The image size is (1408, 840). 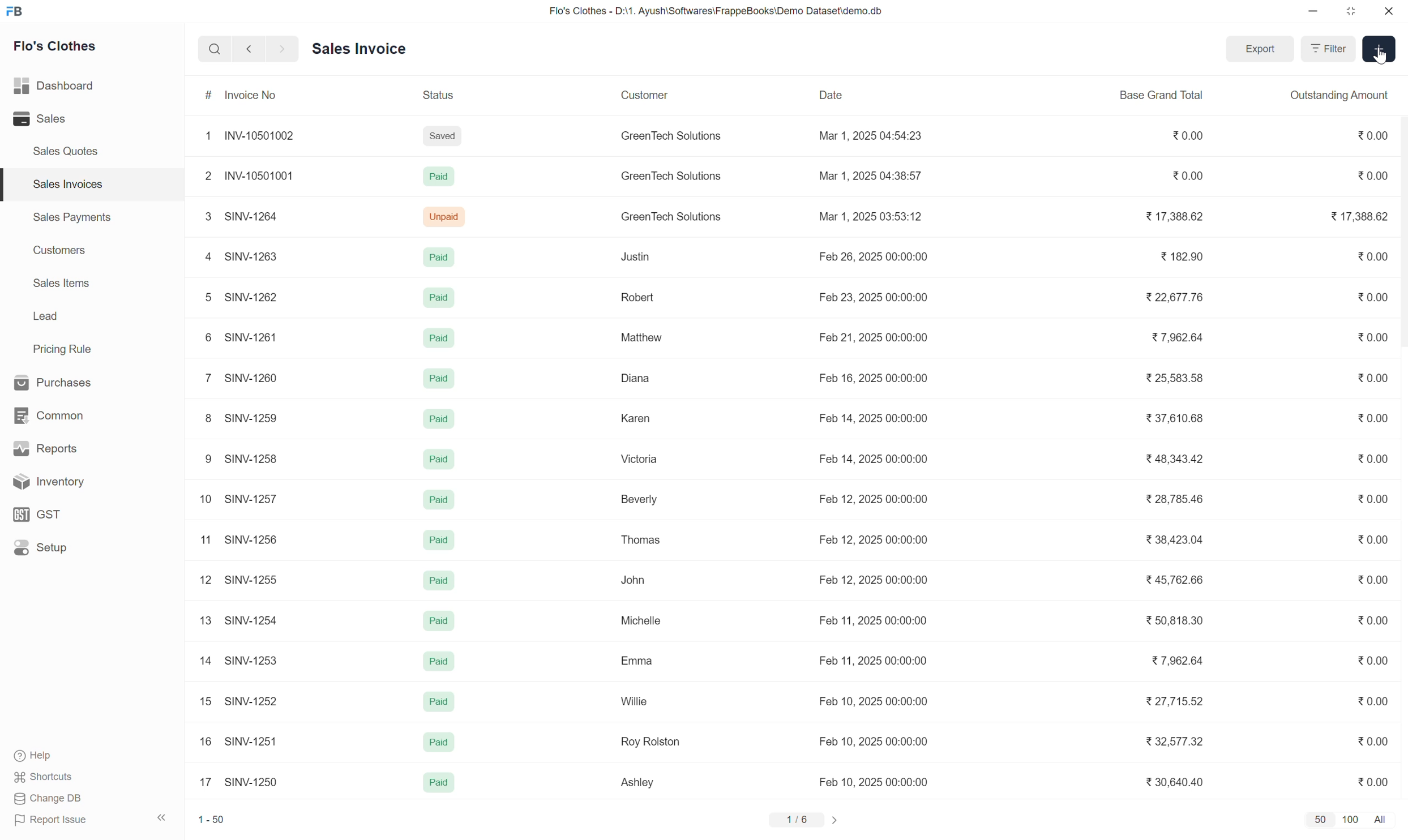 What do you see at coordinates (204, 783) in the screenshot?
I see `17` at bounding box center [204, 783].